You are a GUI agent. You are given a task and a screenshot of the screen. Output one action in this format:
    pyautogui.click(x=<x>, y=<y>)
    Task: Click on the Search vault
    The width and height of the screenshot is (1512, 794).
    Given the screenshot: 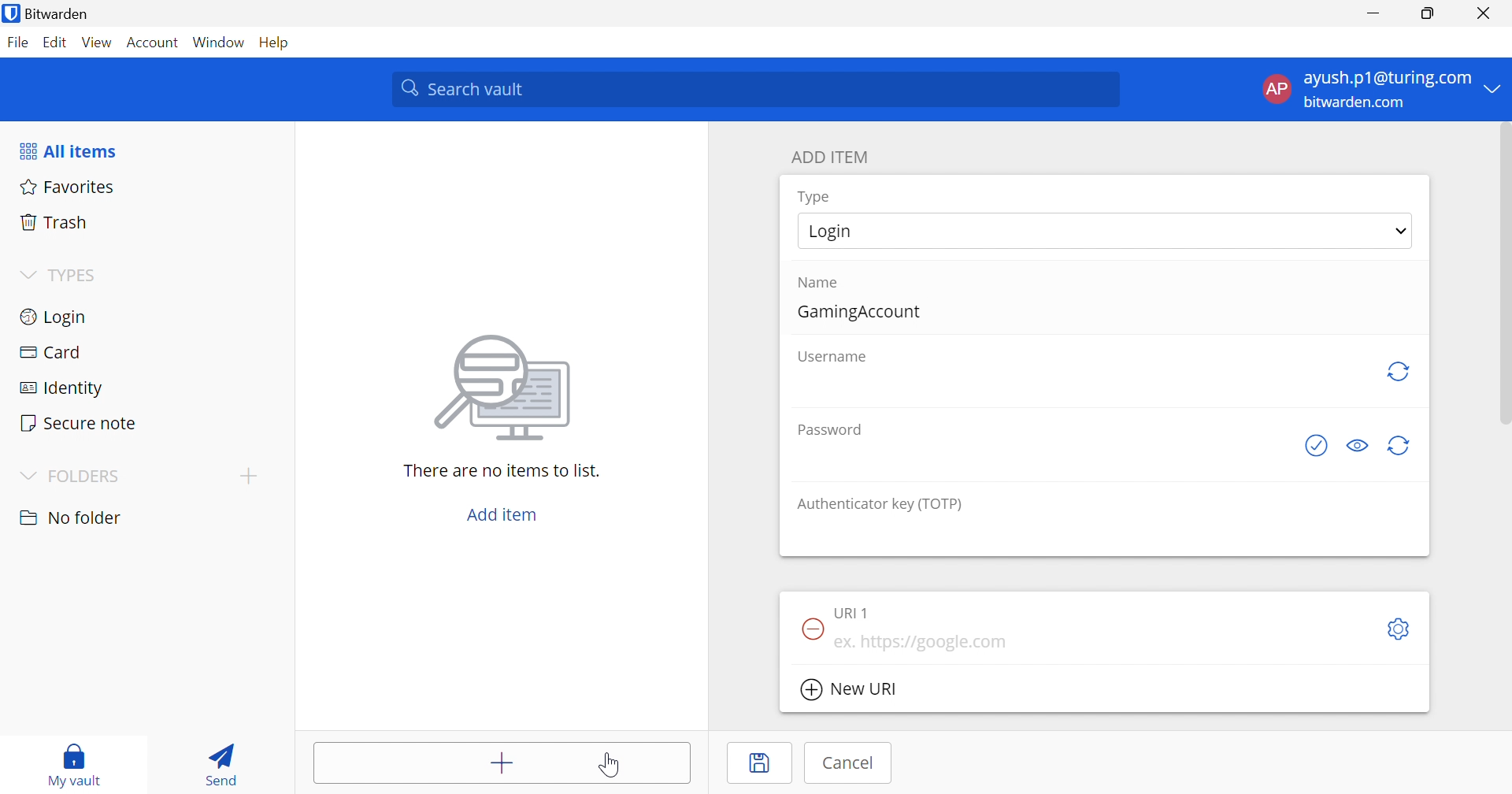 What is the action you would take?
    pyautogui.click(x=757, y=89)
    